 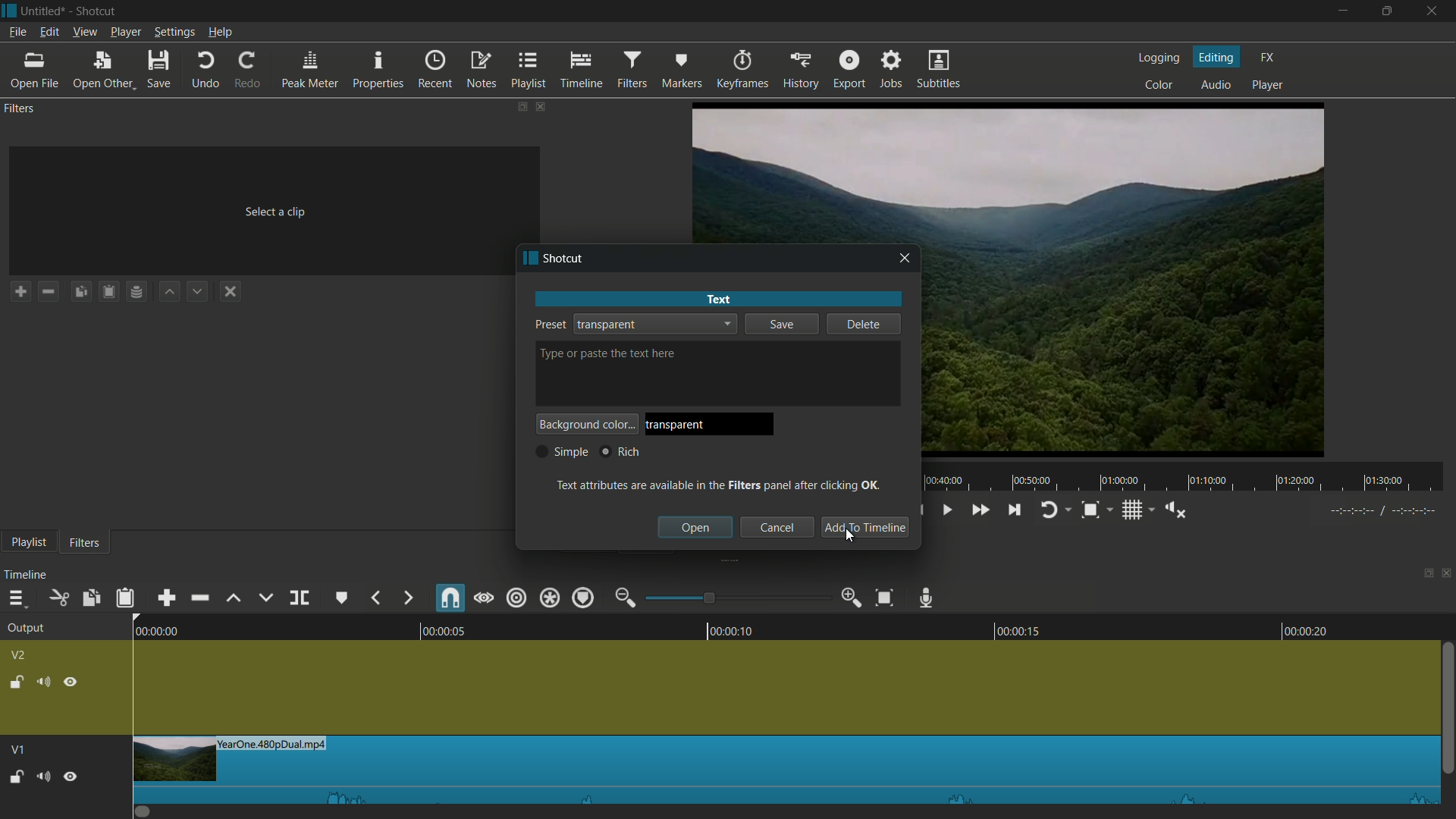 I want to click on V1, so click(x=16, y=745).